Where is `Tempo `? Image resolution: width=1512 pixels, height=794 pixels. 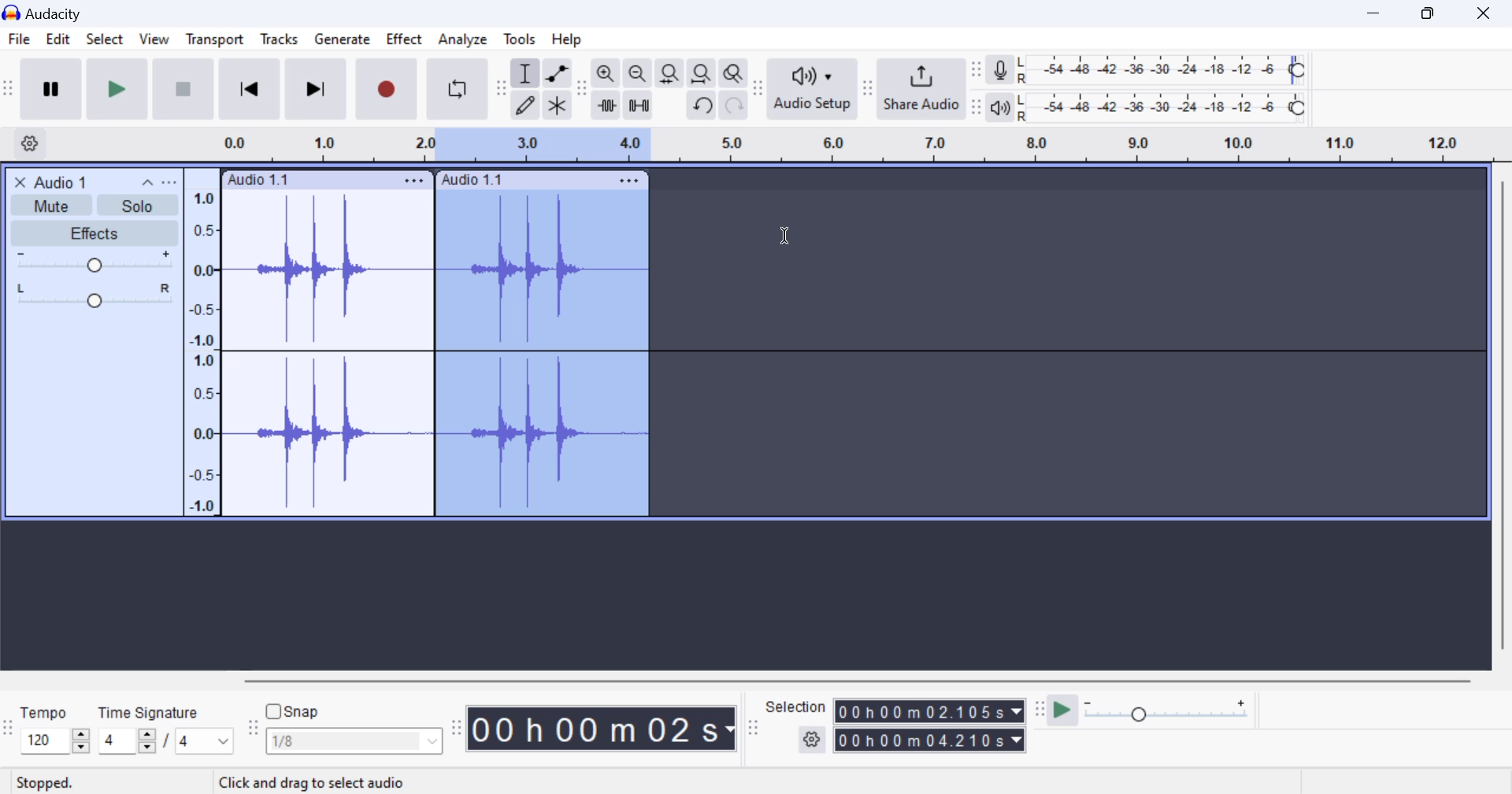
Tempo  is located at coordinates (45, 711).